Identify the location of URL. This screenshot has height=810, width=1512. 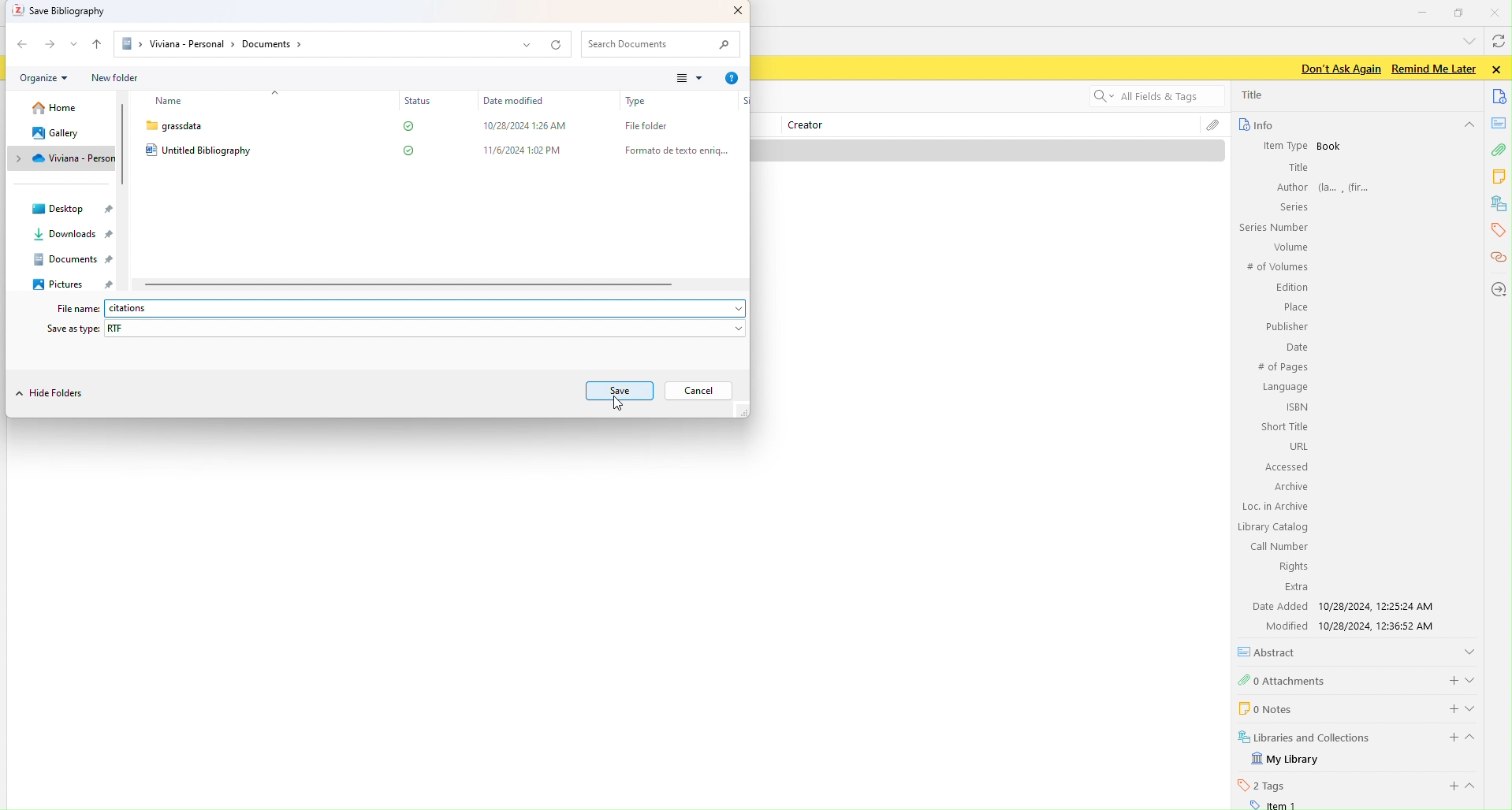
(1297, 446).